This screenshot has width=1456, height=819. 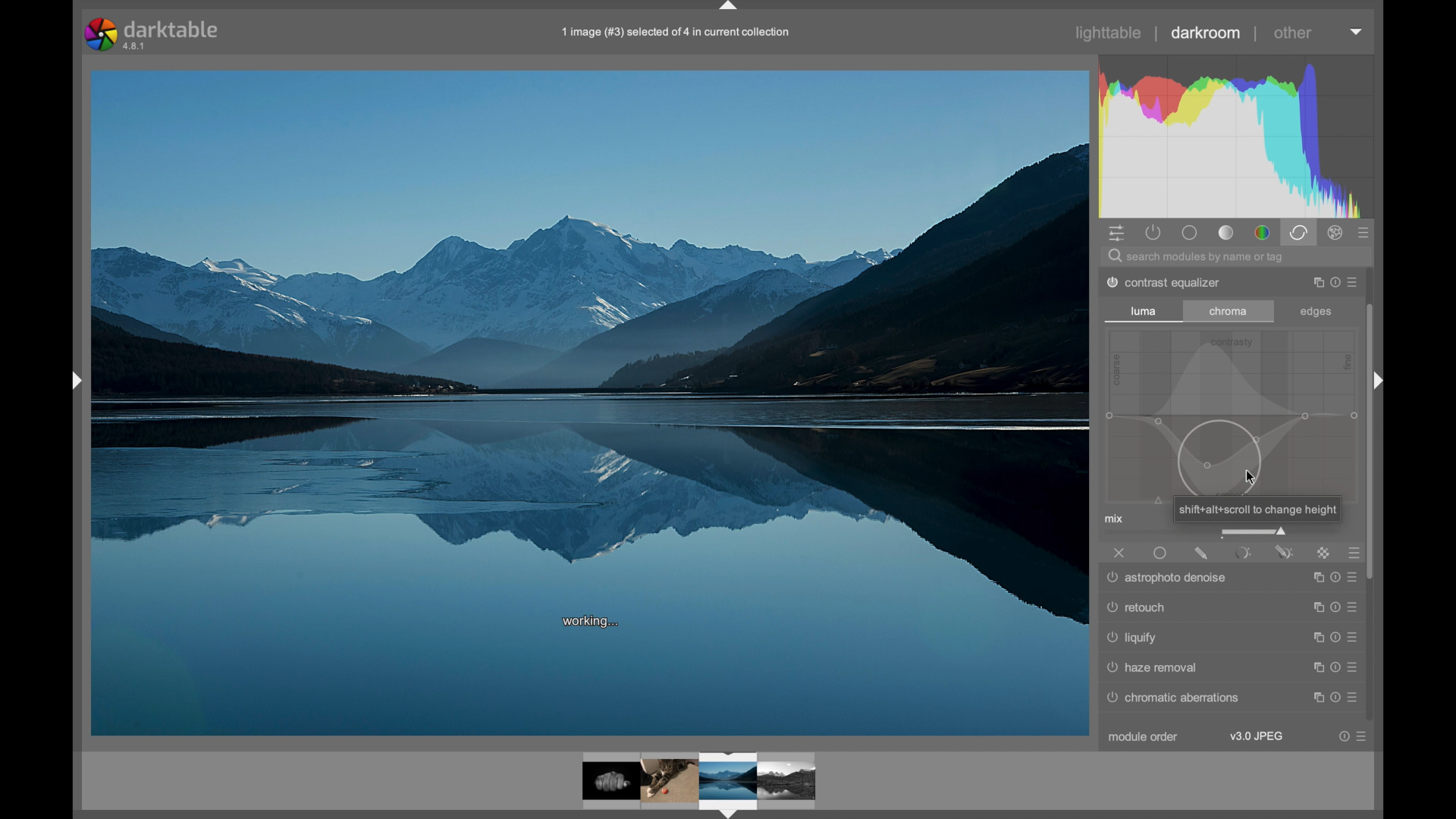 I want to click on dither posterize, so click(x=1164, y=282).